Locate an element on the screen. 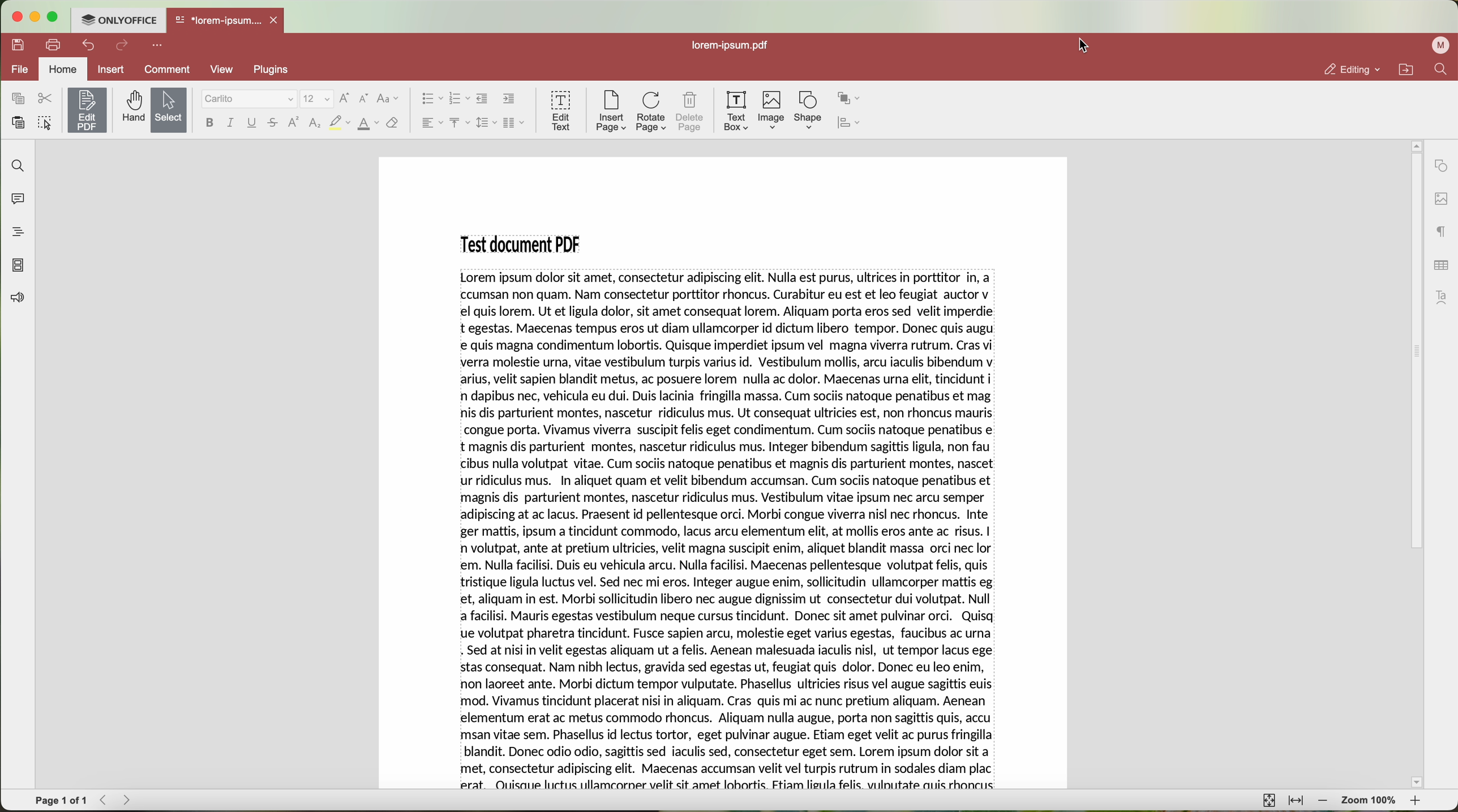 Image resolution: width=1458 pixels, height=812 pixels. close program is located at coordinates (19, 16).